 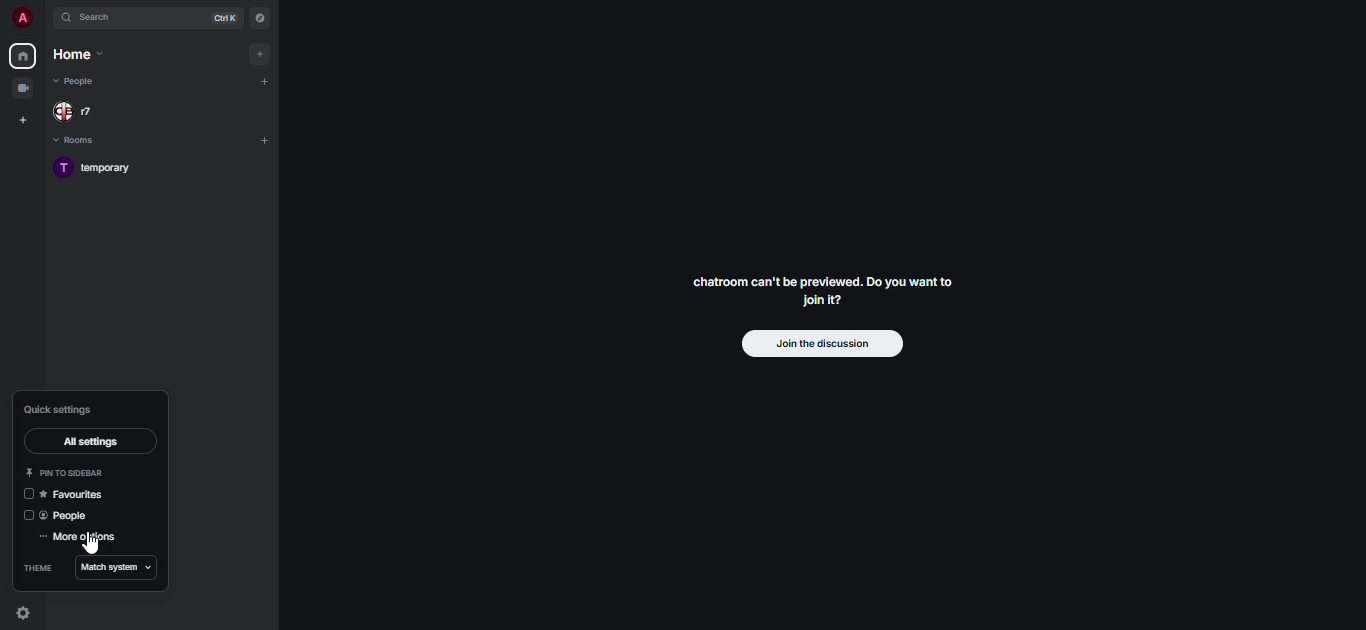 I want to click on pin to sidebar, so click(x=74, y=474).